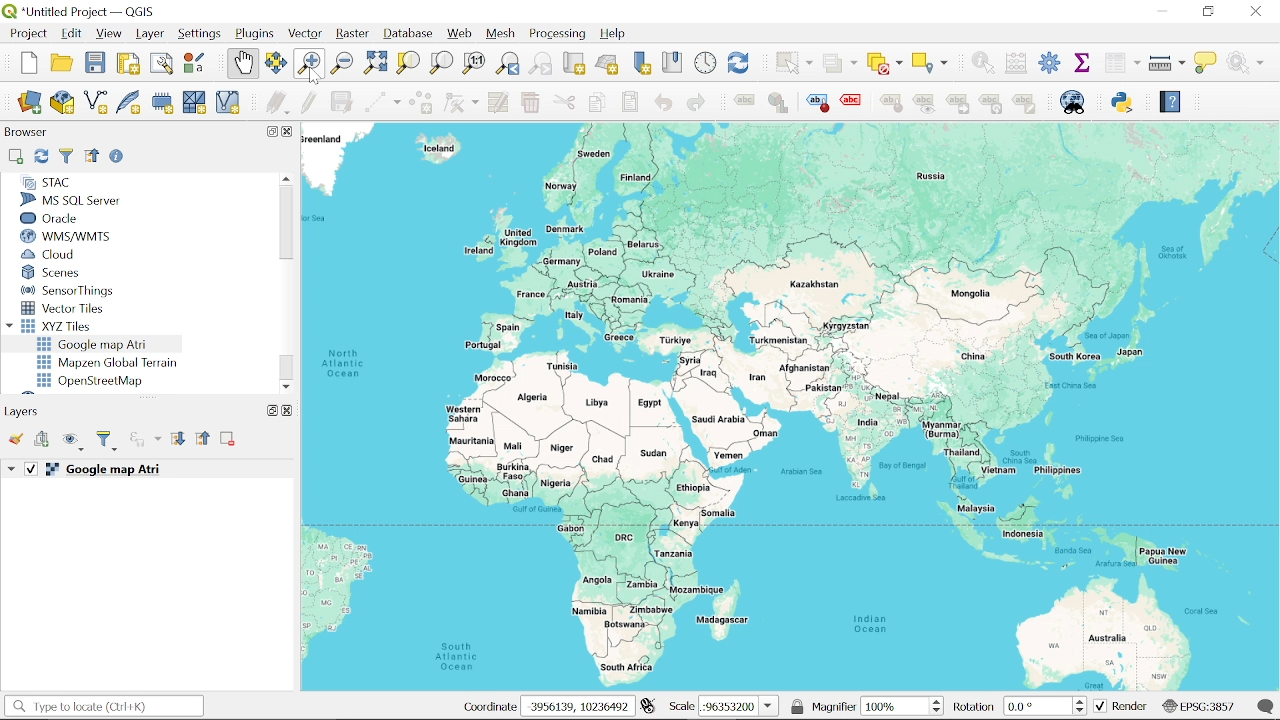 Image resolution: width=1280 pixels, height=720 pixels. I want to click on Show map tips, so click(1207, 62).